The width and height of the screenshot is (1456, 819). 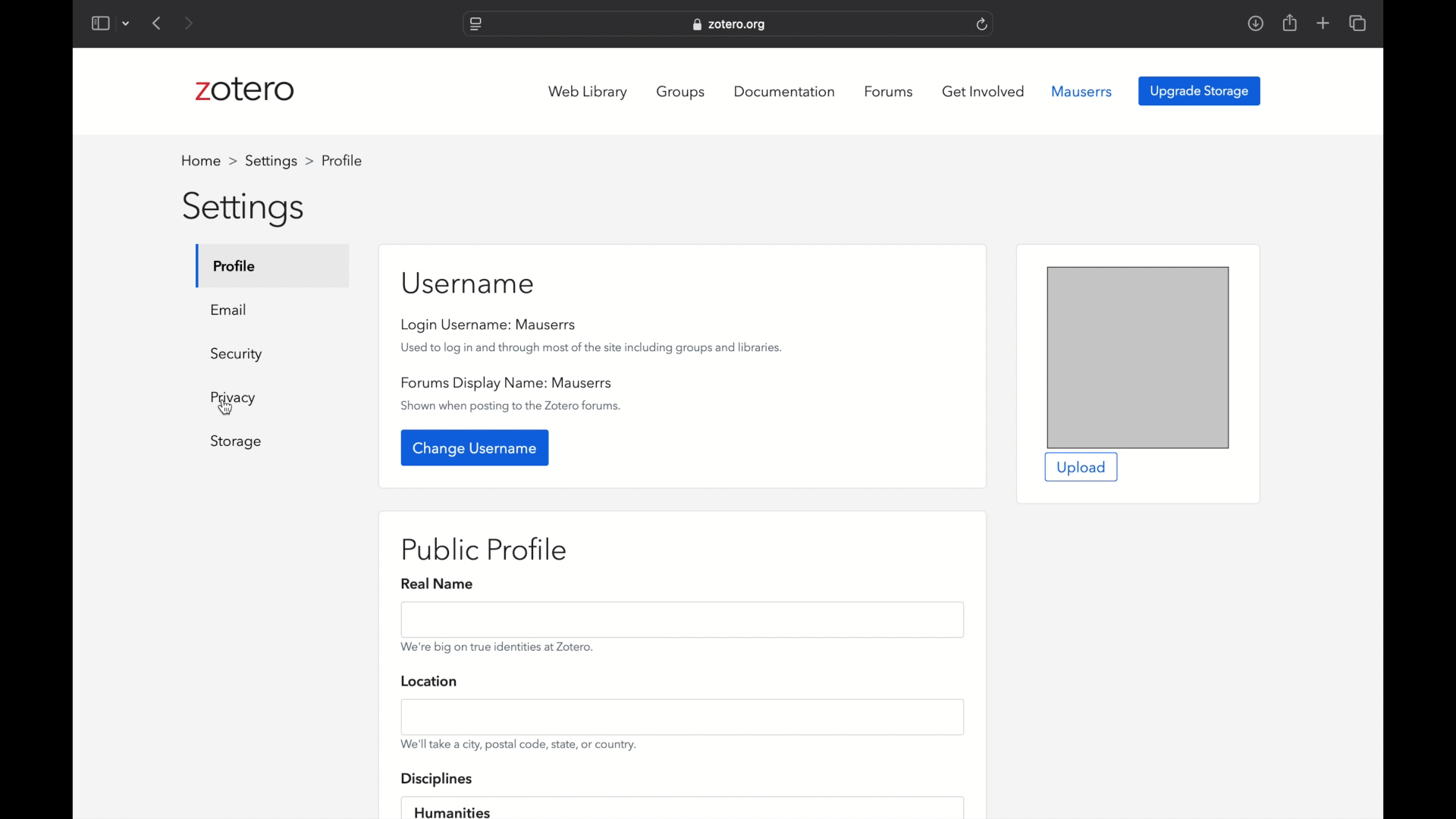 I want to click on upload, so click(x=1080, y=468).